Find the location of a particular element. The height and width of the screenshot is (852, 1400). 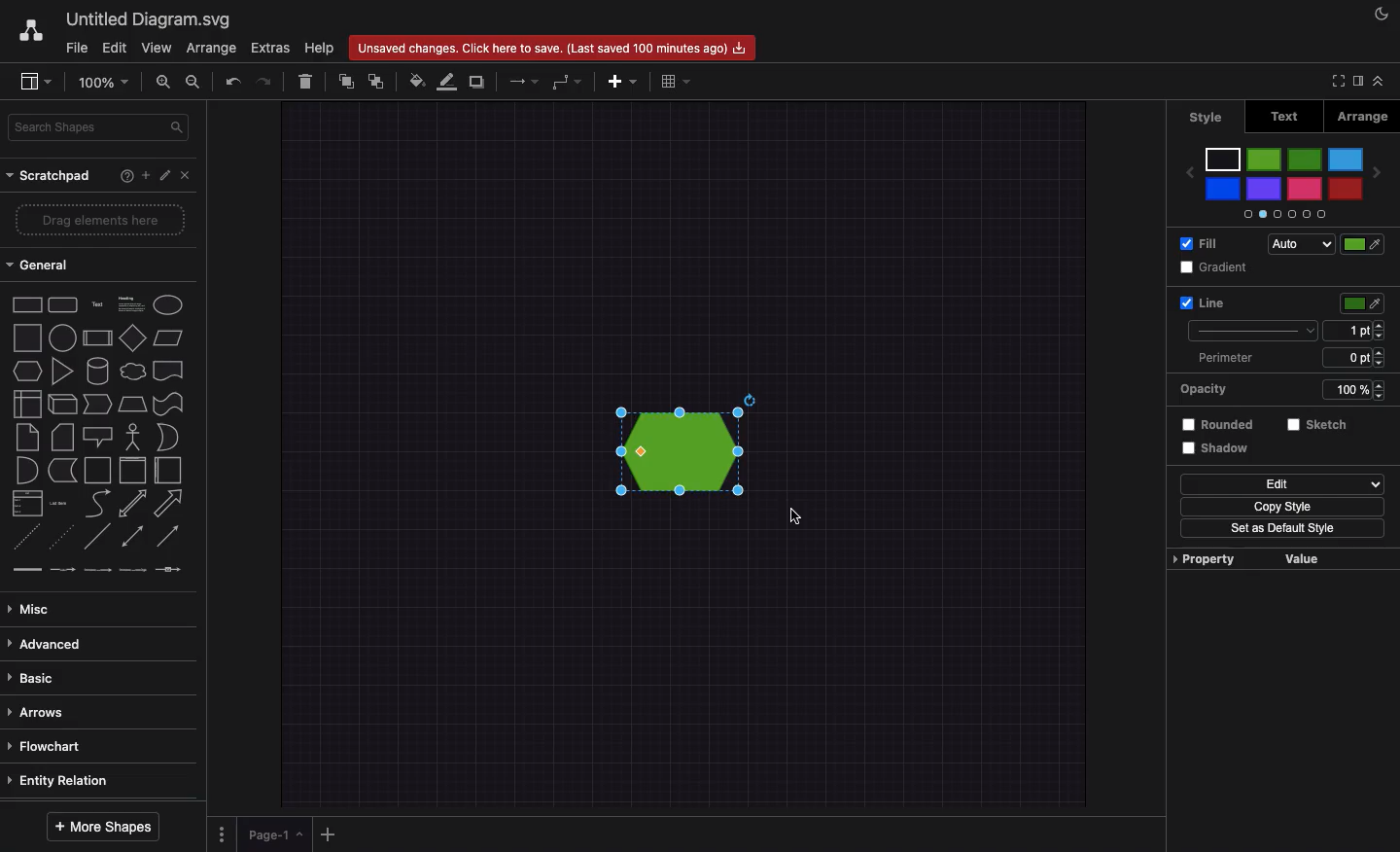

Search shapes is located at coordinates (101, 127).